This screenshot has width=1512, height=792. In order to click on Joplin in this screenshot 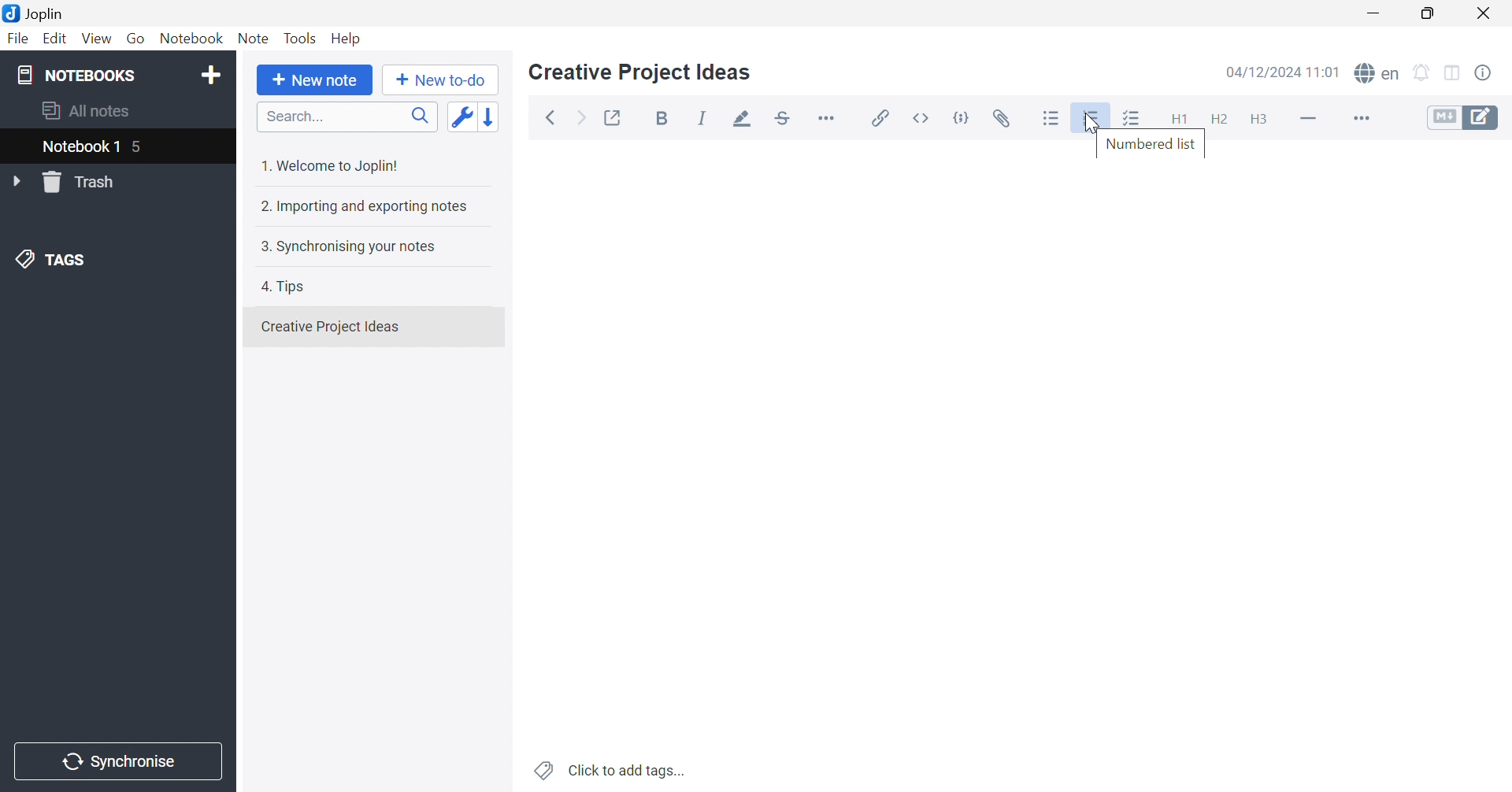, I will do `click(37, 12)`.